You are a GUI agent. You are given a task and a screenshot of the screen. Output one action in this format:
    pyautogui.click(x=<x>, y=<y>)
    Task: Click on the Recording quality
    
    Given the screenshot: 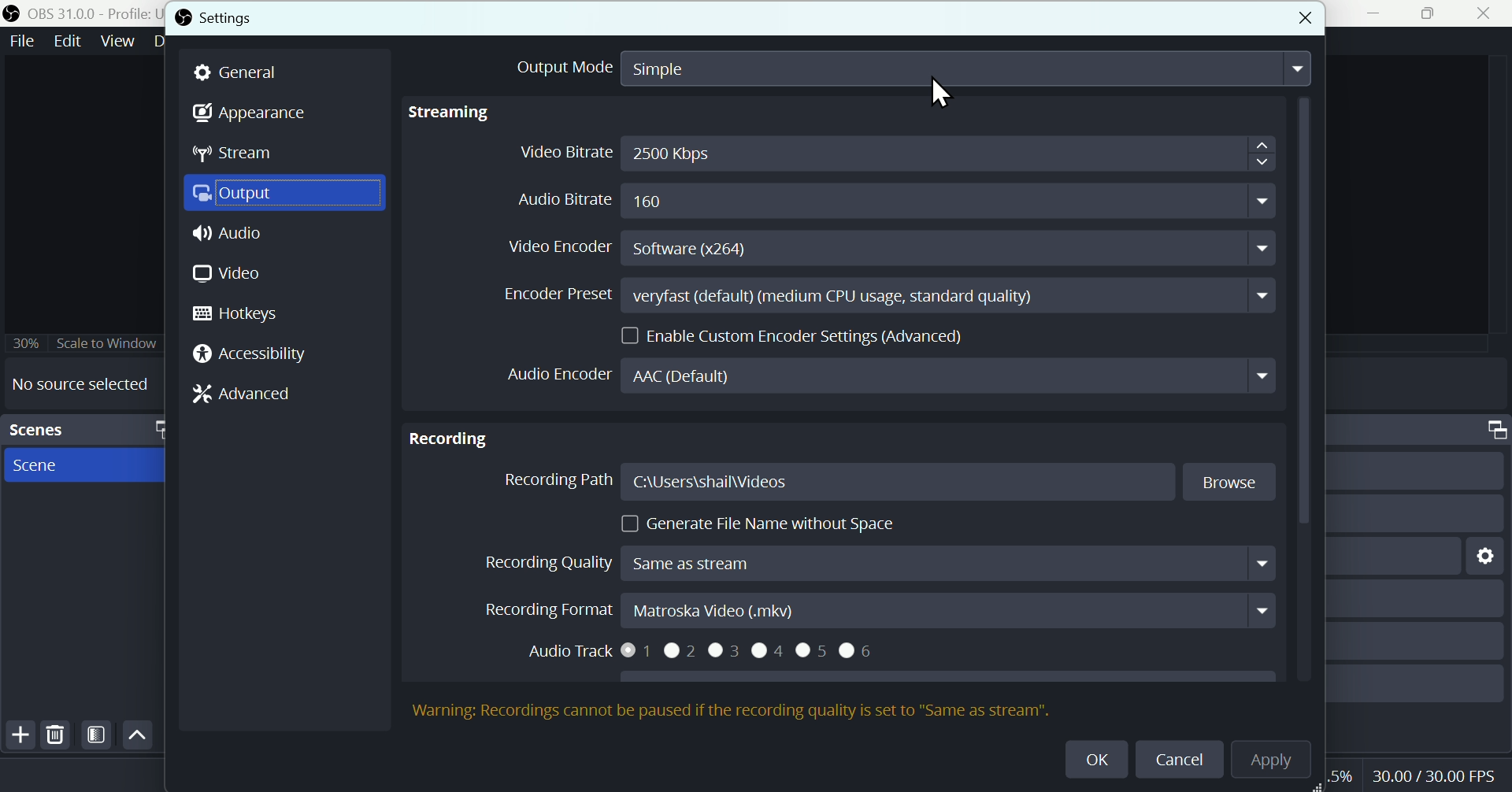 What is the action you would take?
    pyautogui.click(x=873, y=563)
    